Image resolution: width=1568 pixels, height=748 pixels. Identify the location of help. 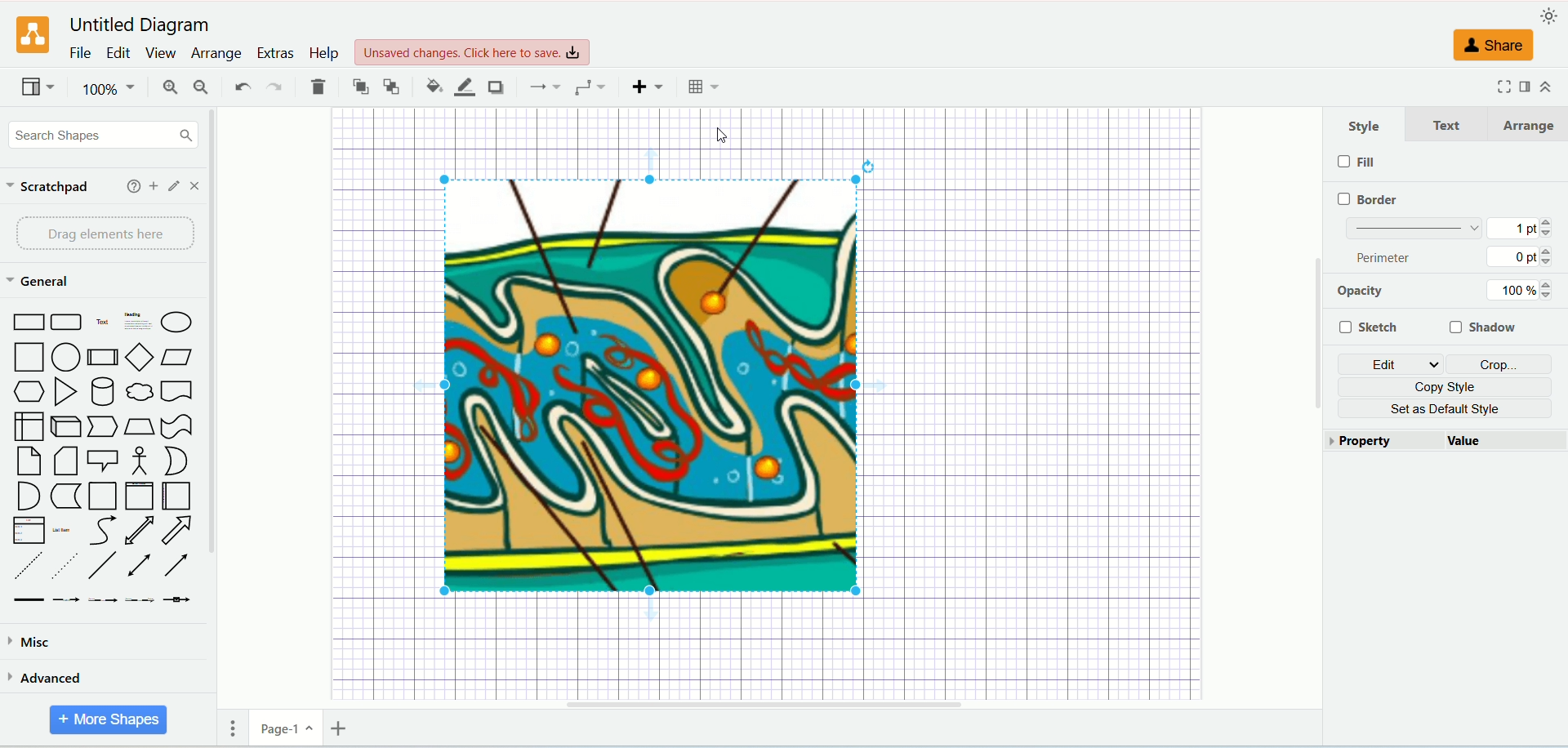
(131, 185).